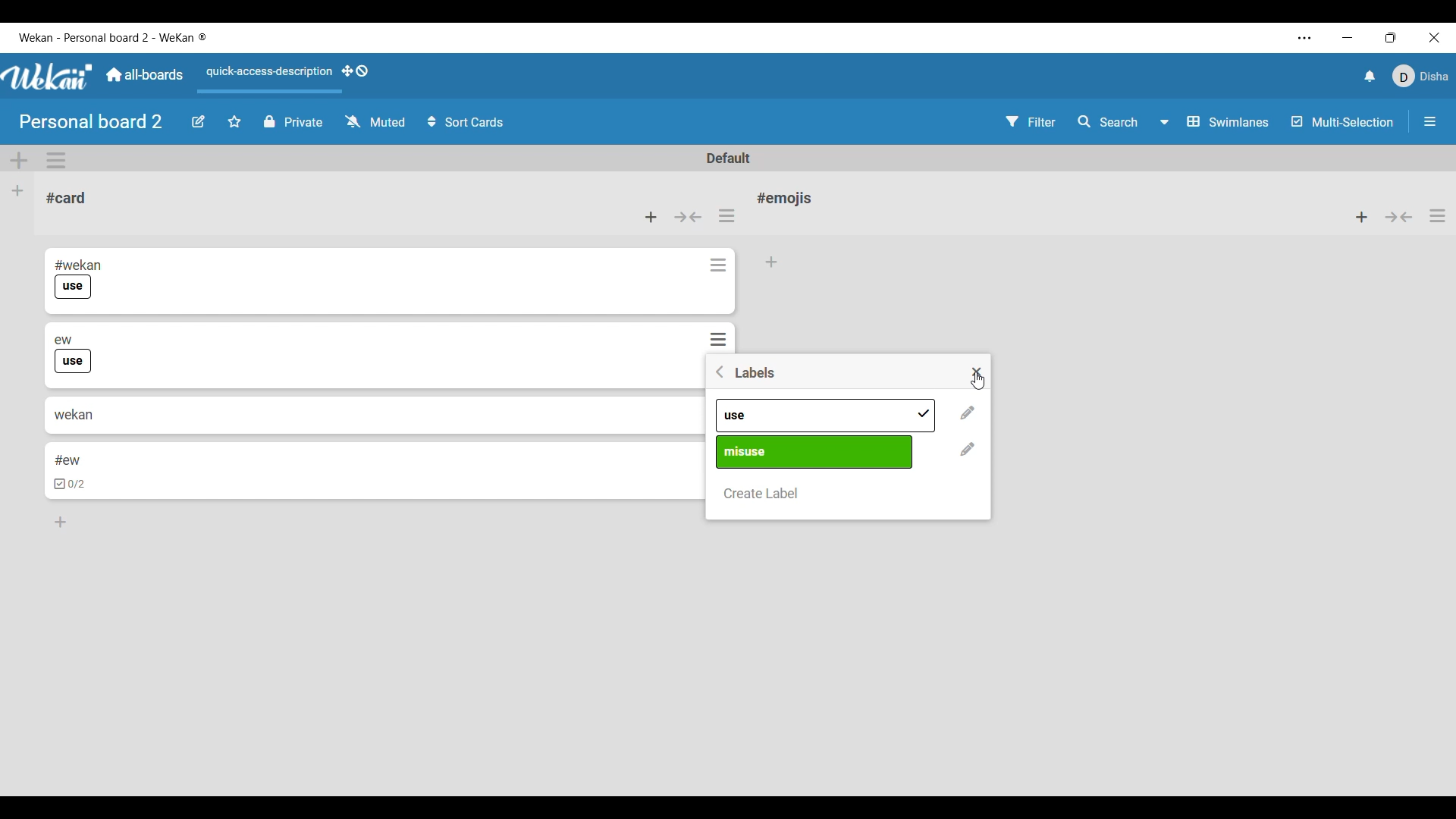  Describe the element at coordinates (814, 453) in the screenshot. I see `Pre-existing labels differentiated by name and color` at that location.